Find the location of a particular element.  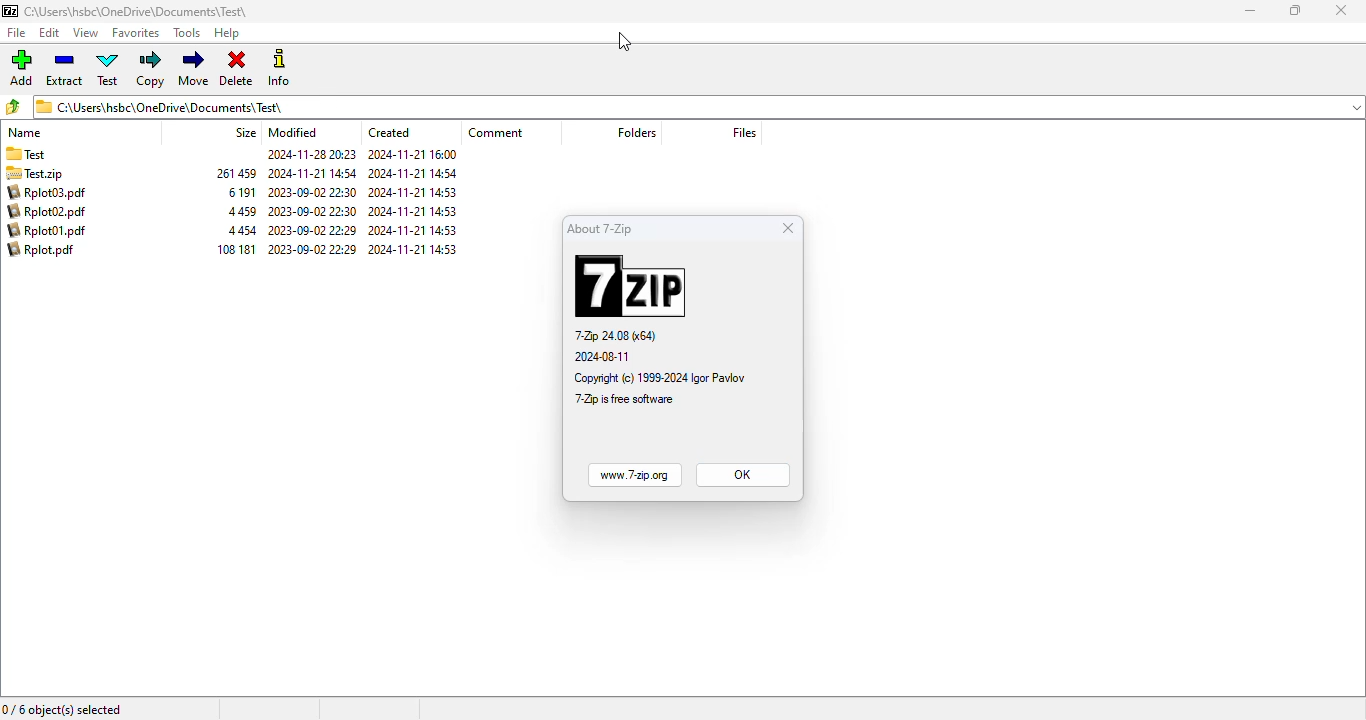

6 191 is located at coordinates (242, 192).